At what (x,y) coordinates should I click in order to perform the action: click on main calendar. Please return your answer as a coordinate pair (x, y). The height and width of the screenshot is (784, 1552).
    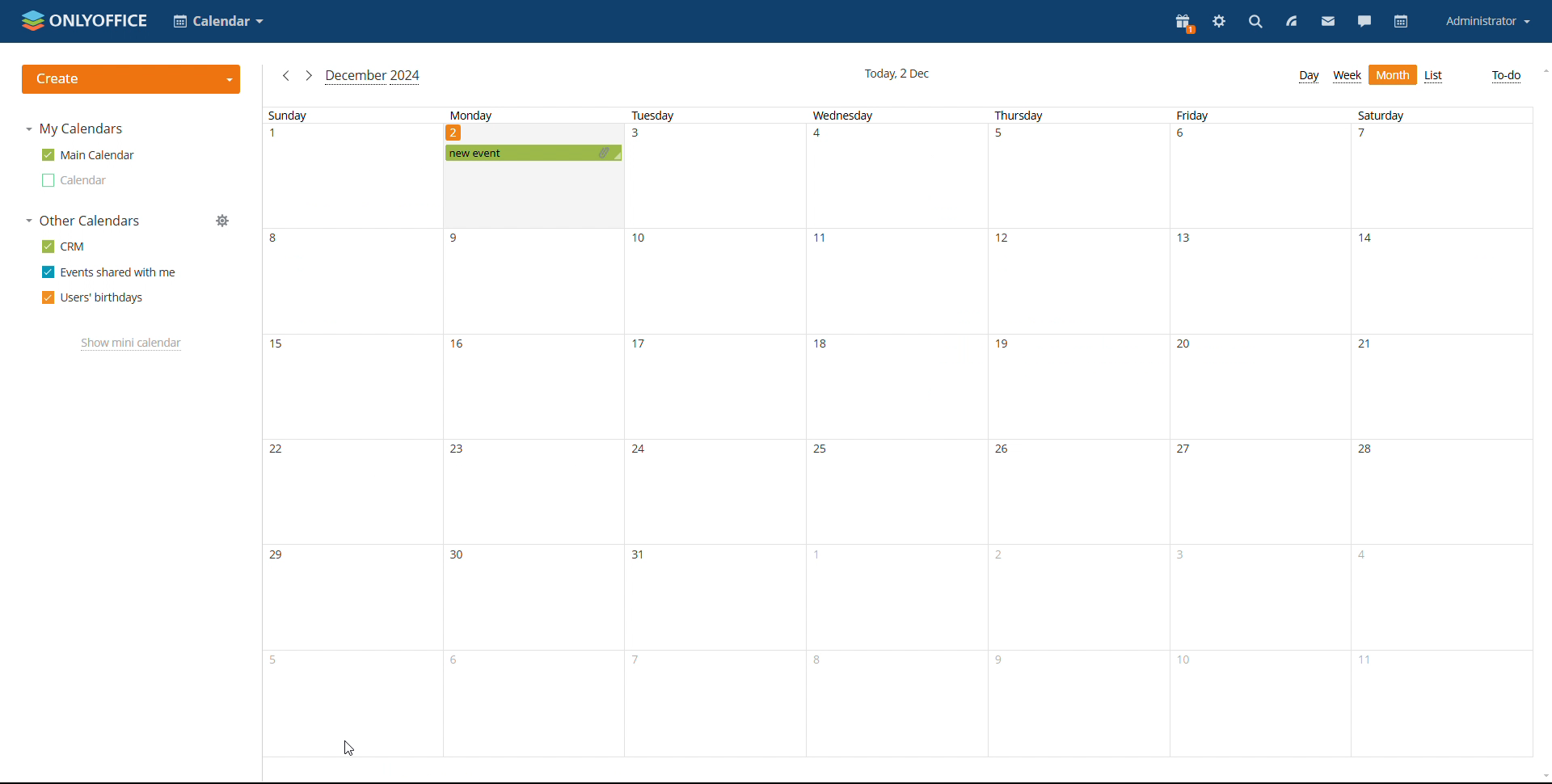
    Looking at the image, I should click on (88, 155).